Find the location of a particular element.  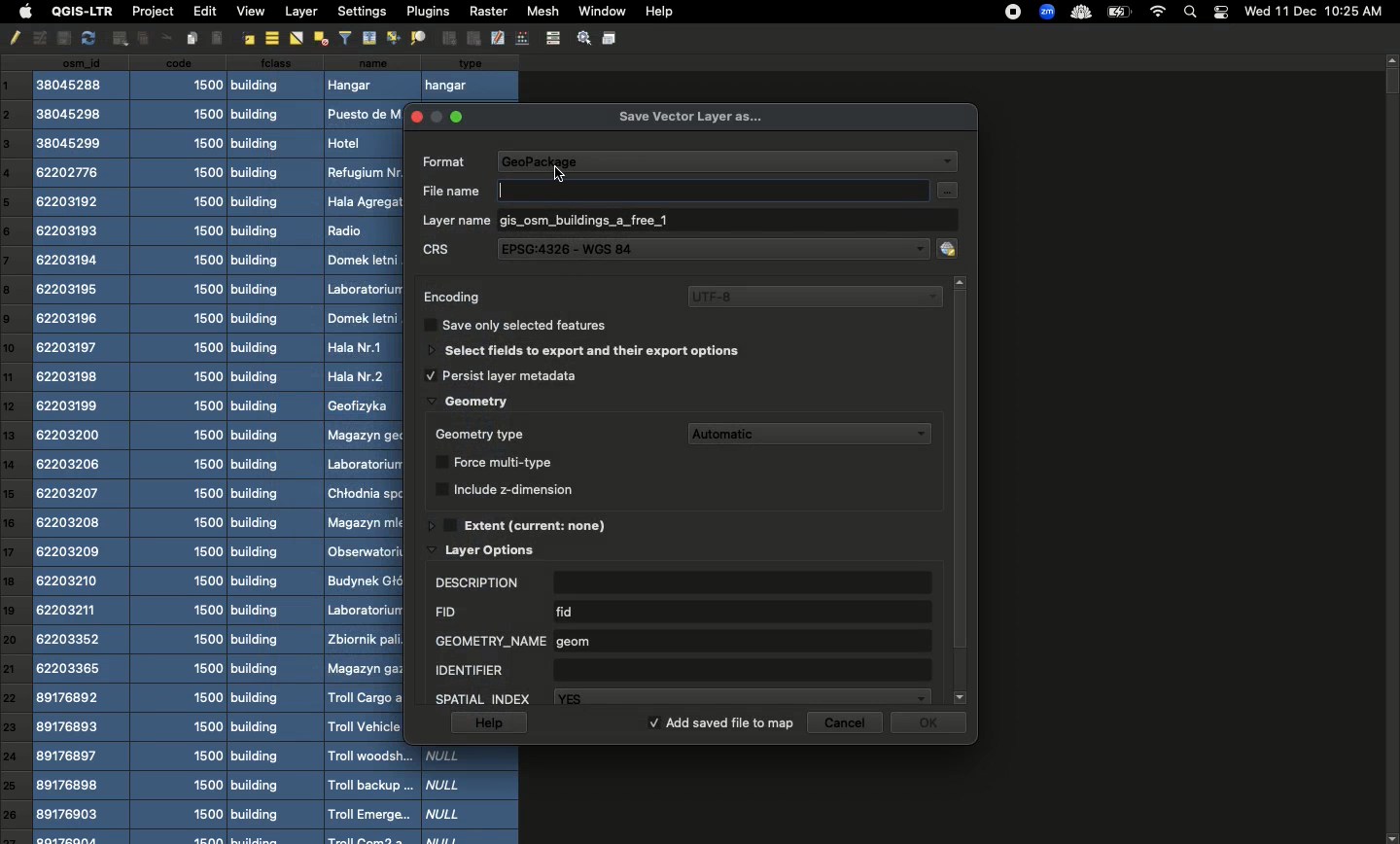

Align right is located at coordinates (248, 38).